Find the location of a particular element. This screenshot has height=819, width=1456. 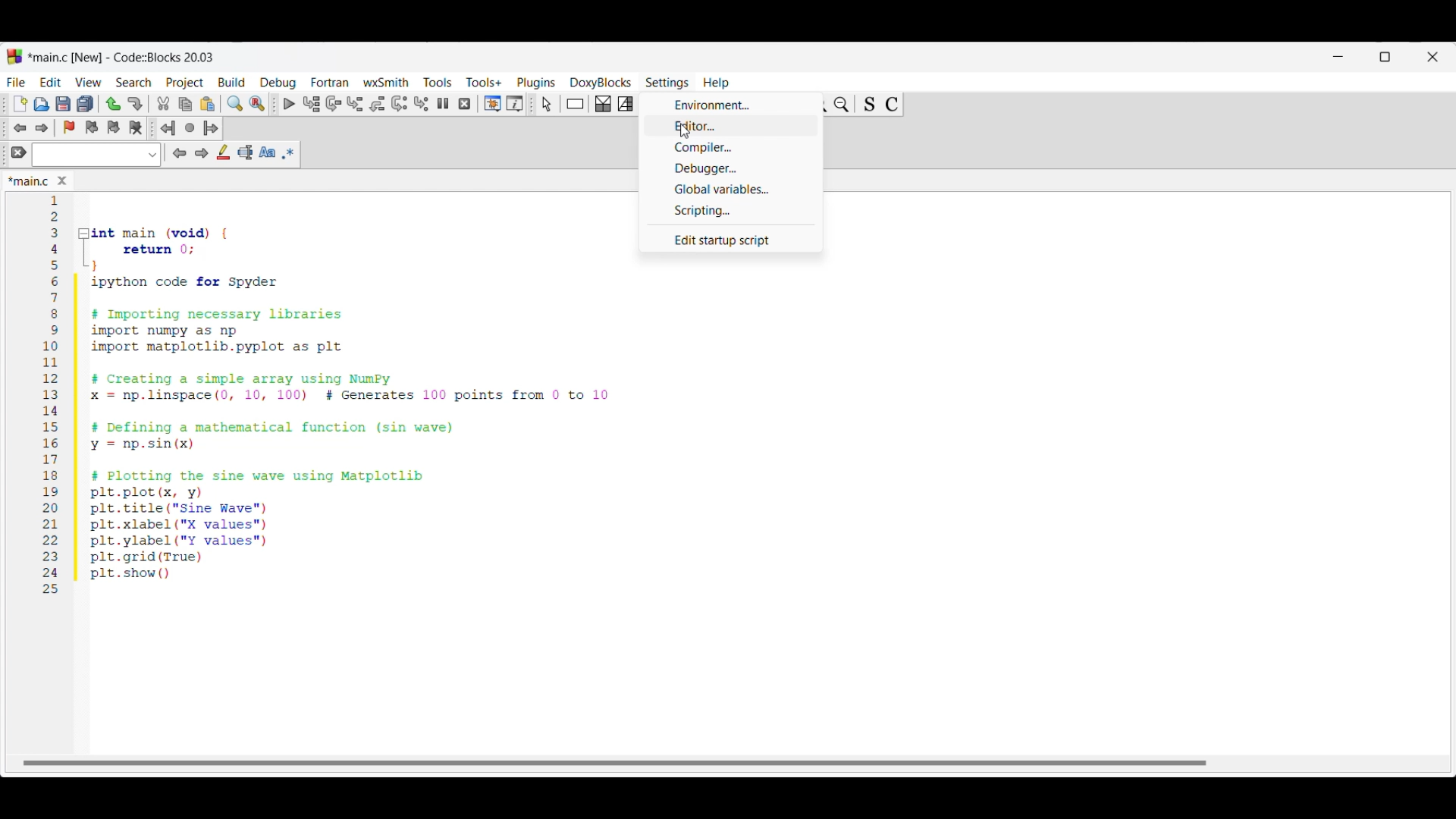

Horizontal slide bar is located at coordinates (614, 763).